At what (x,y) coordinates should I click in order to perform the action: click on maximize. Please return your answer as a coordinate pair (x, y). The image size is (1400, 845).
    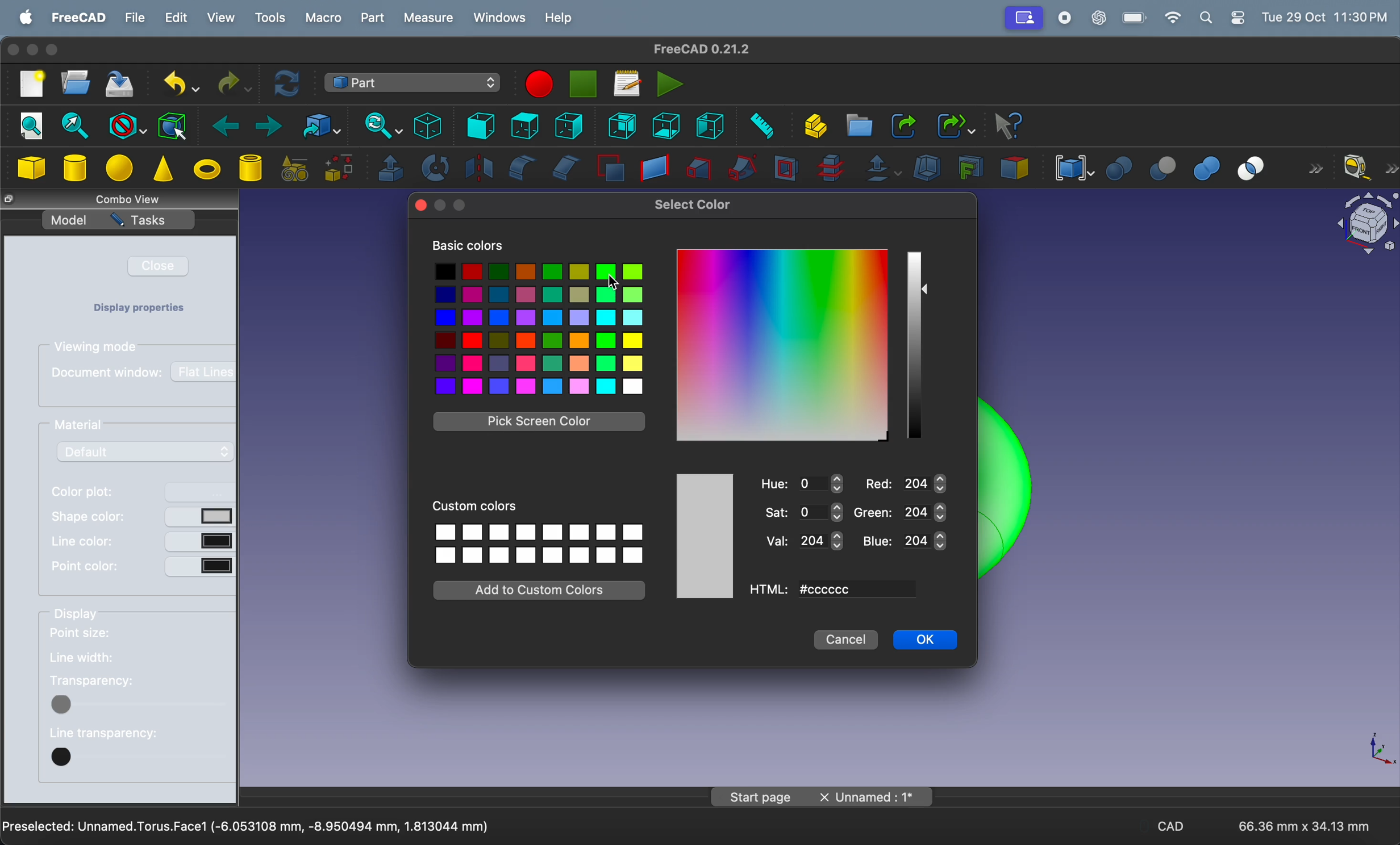
    Looking at the image, I should click on (52, 50).